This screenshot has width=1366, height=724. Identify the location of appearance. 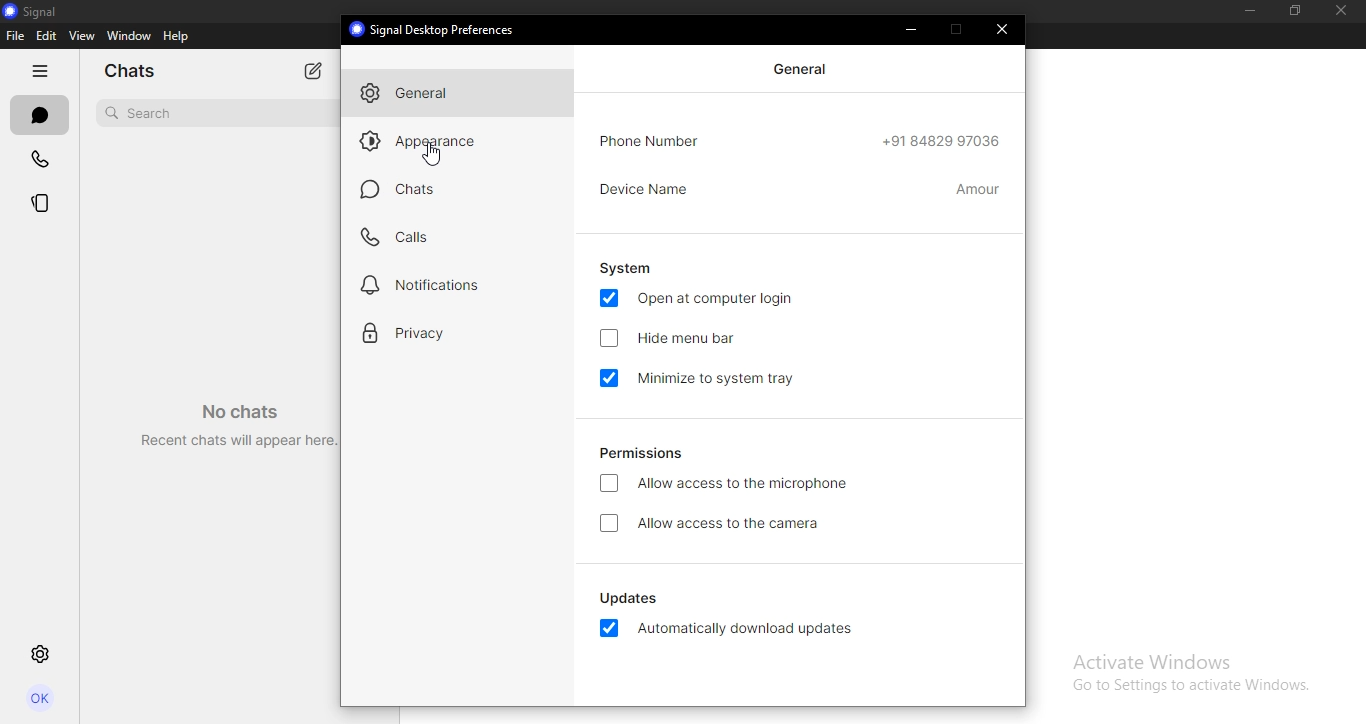
(435, 144).